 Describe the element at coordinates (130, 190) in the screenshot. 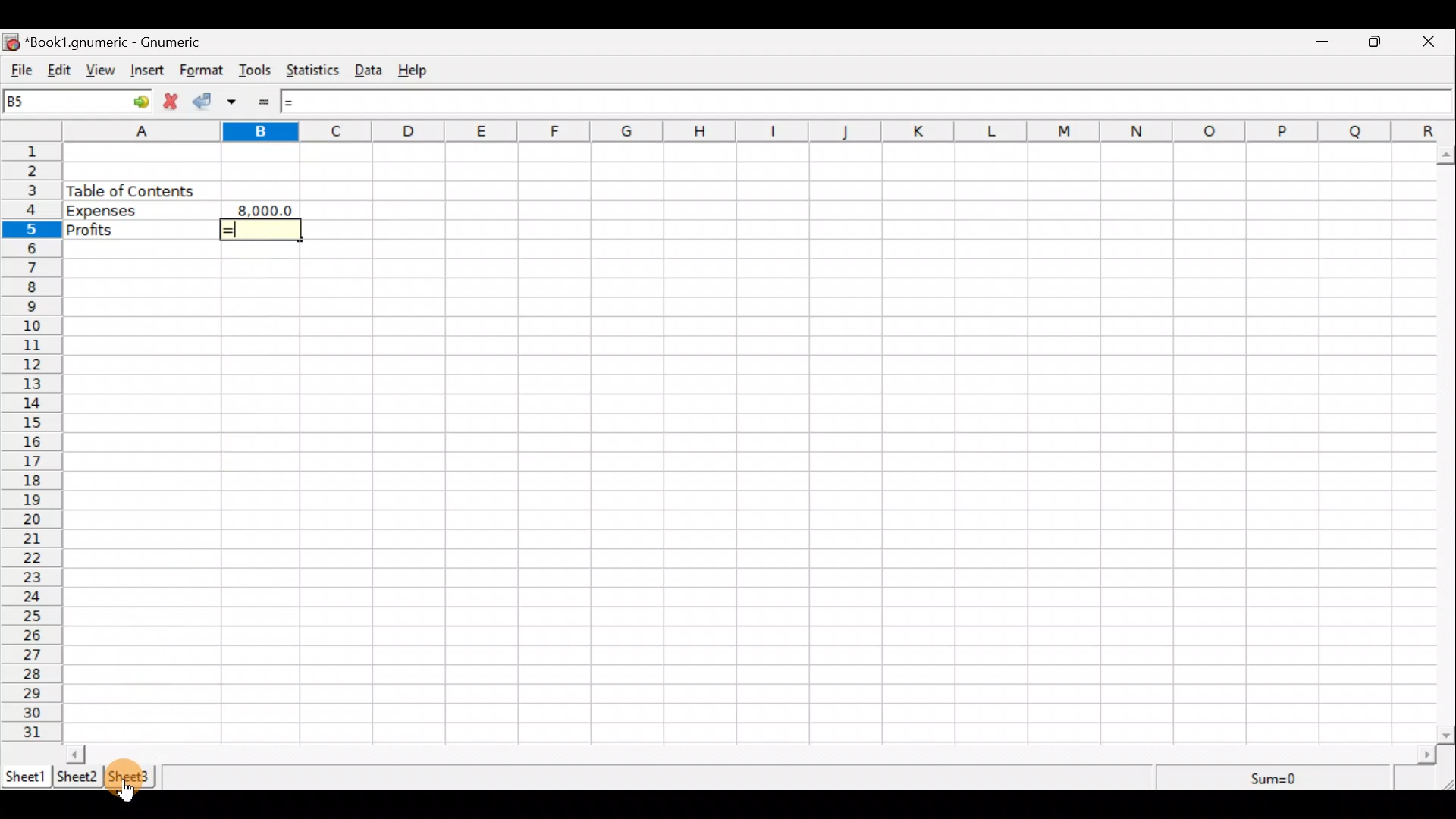

I see `Table of content` at that location.